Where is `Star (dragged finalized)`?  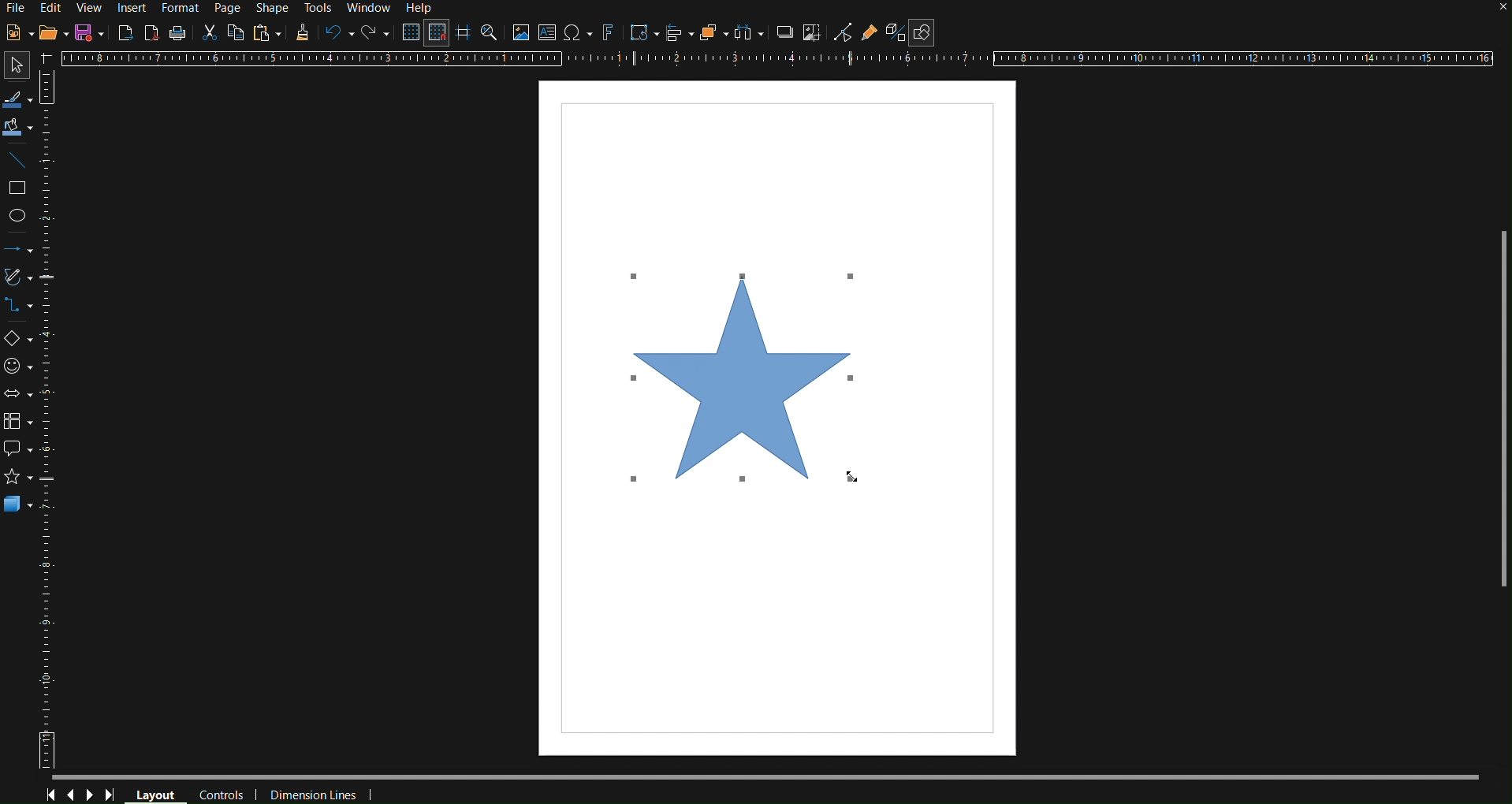 Star (dragged finalized) is located at coordinates (747, 375).